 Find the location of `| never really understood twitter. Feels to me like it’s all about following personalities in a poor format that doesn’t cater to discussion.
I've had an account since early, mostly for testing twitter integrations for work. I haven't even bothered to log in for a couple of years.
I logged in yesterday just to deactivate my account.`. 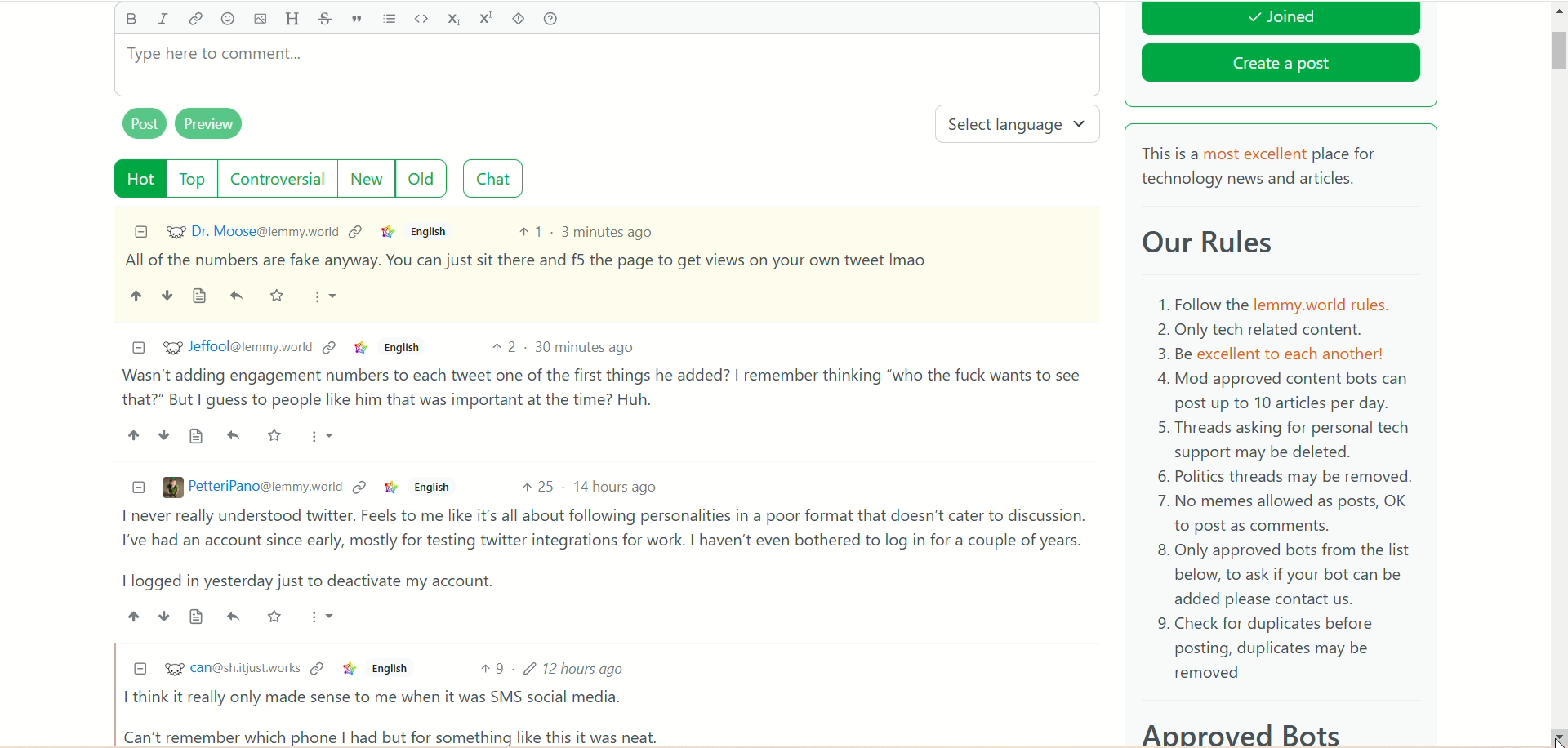

| never really understood twitter. Feels to me like it’s all about following personalities in a poor format that doesn’t cater to discussion.
I've had an account since early, mostly for testing twitter integrations for work. I haven't even bothered to log in for a couple of years.
I logged in yesterday just to deactivate my account. is located at coordinates (598, 550).